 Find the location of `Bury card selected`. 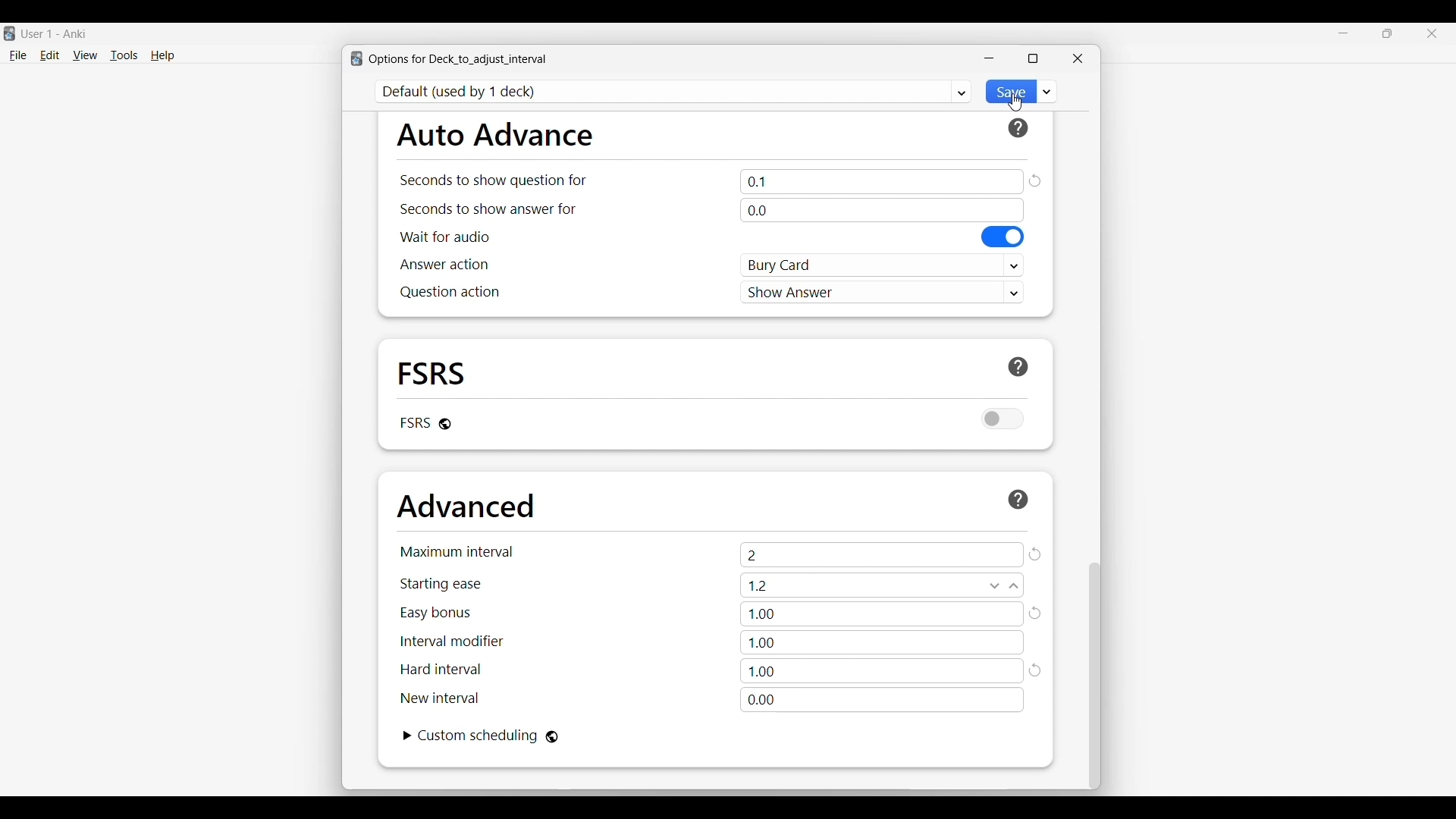

Bury card selected is located at coordinates (883, 265).